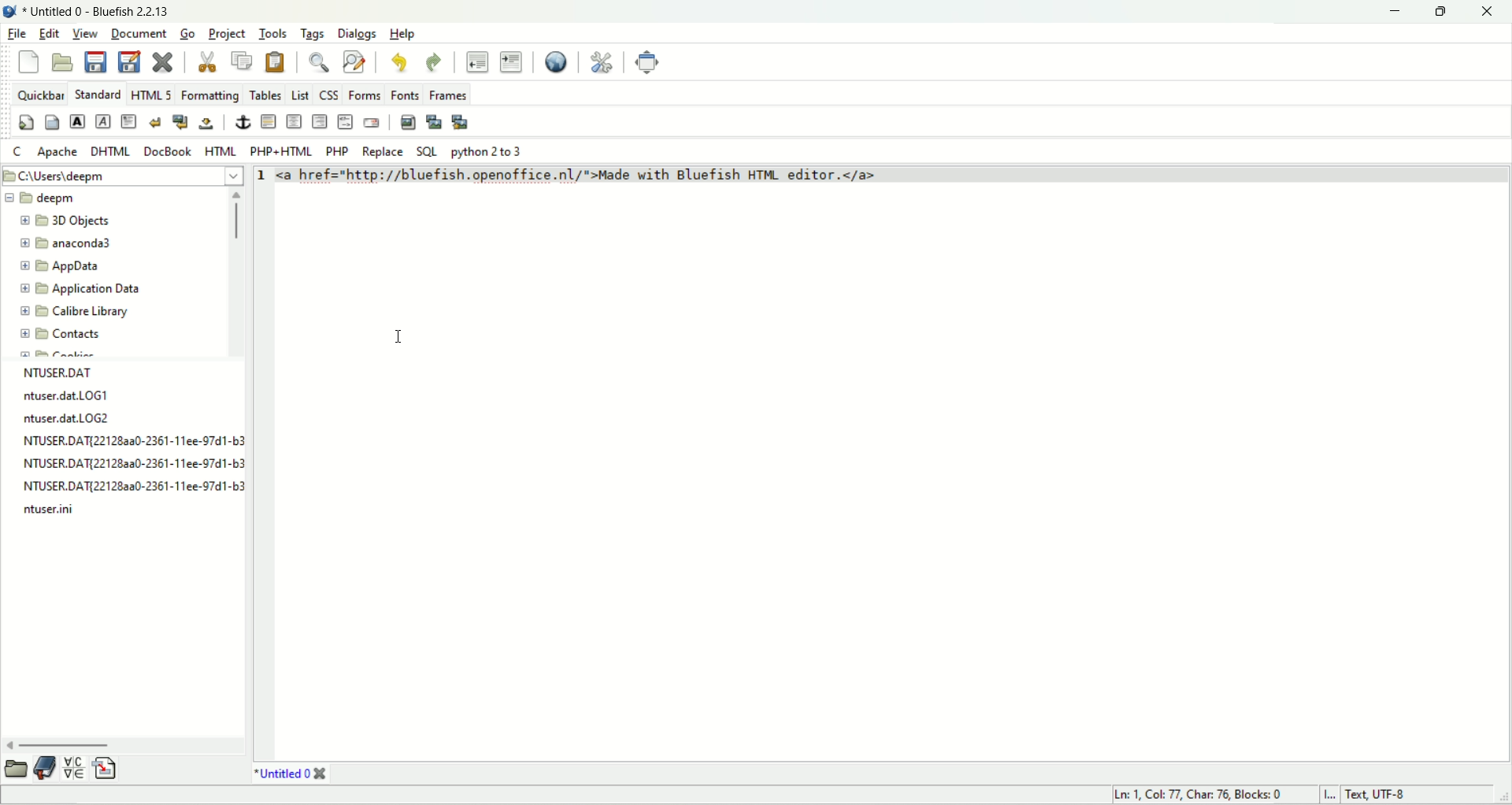 The width and height of the screenshot is (1512, 805). What do you see at coordinates (17, 34) in the screenshot?
I see `file` at bounding box center [17, 34].